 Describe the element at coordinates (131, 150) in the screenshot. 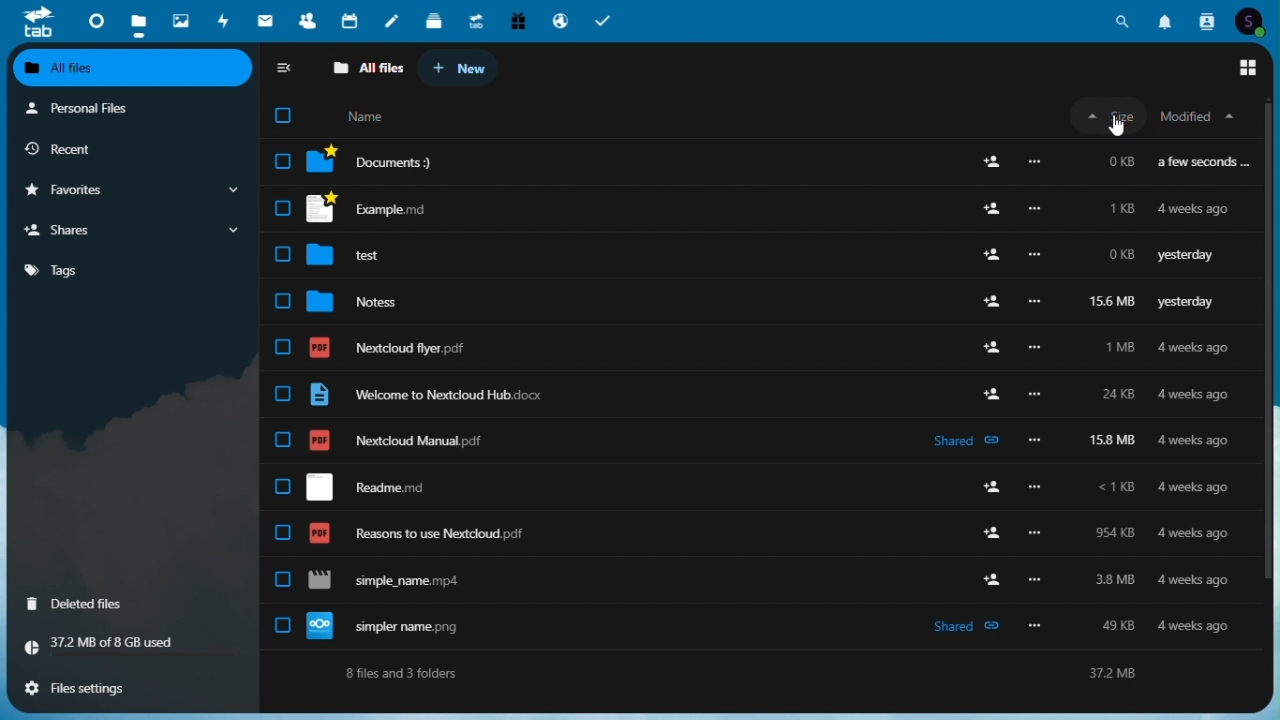

I see `recent` at that location.